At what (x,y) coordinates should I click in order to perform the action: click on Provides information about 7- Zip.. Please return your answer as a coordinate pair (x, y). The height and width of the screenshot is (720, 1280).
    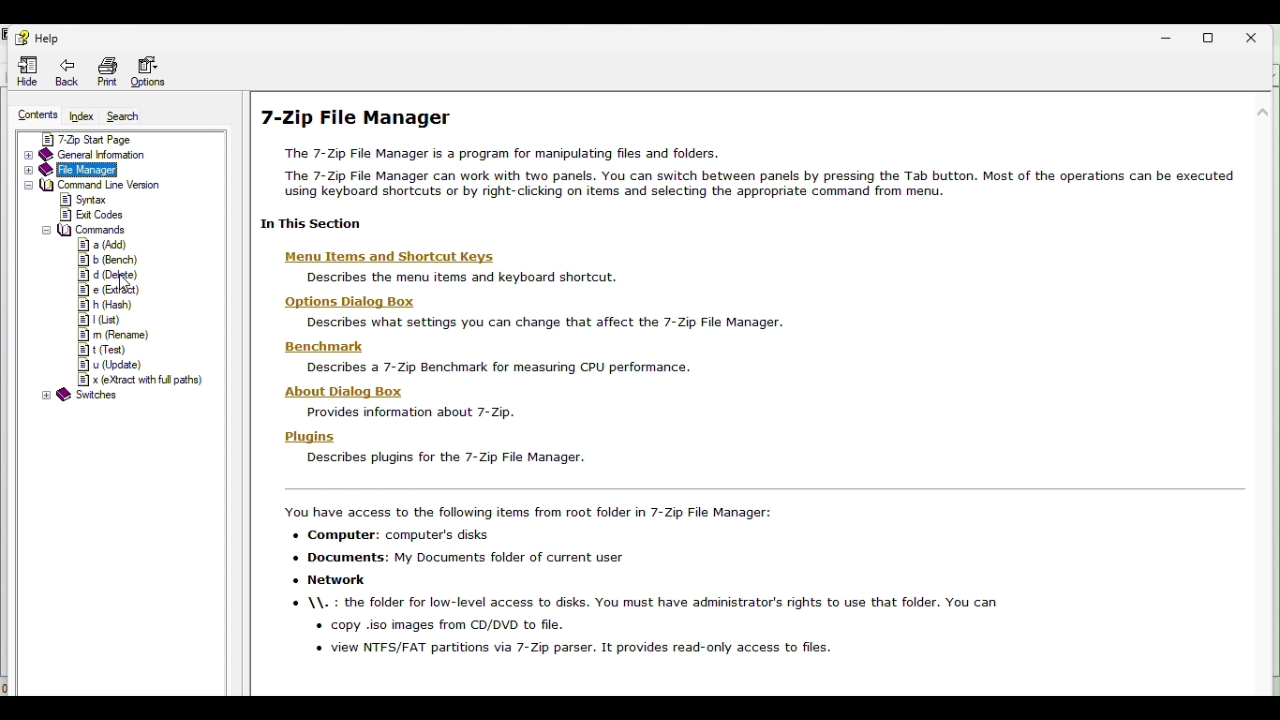
    Looking at the image, I should click on (408, 414).